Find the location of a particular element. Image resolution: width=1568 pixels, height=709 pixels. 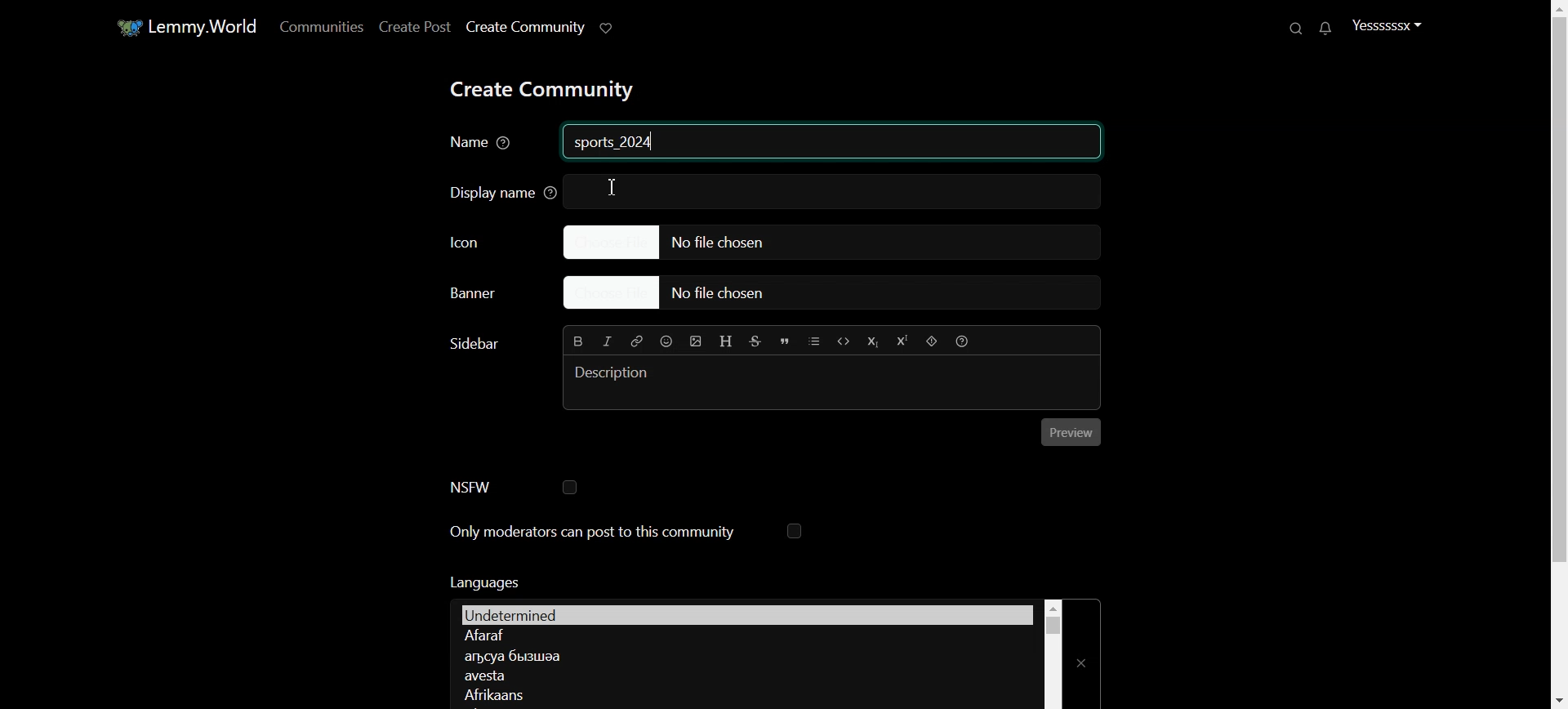

Spoiler is located at coordinates (932, 341).